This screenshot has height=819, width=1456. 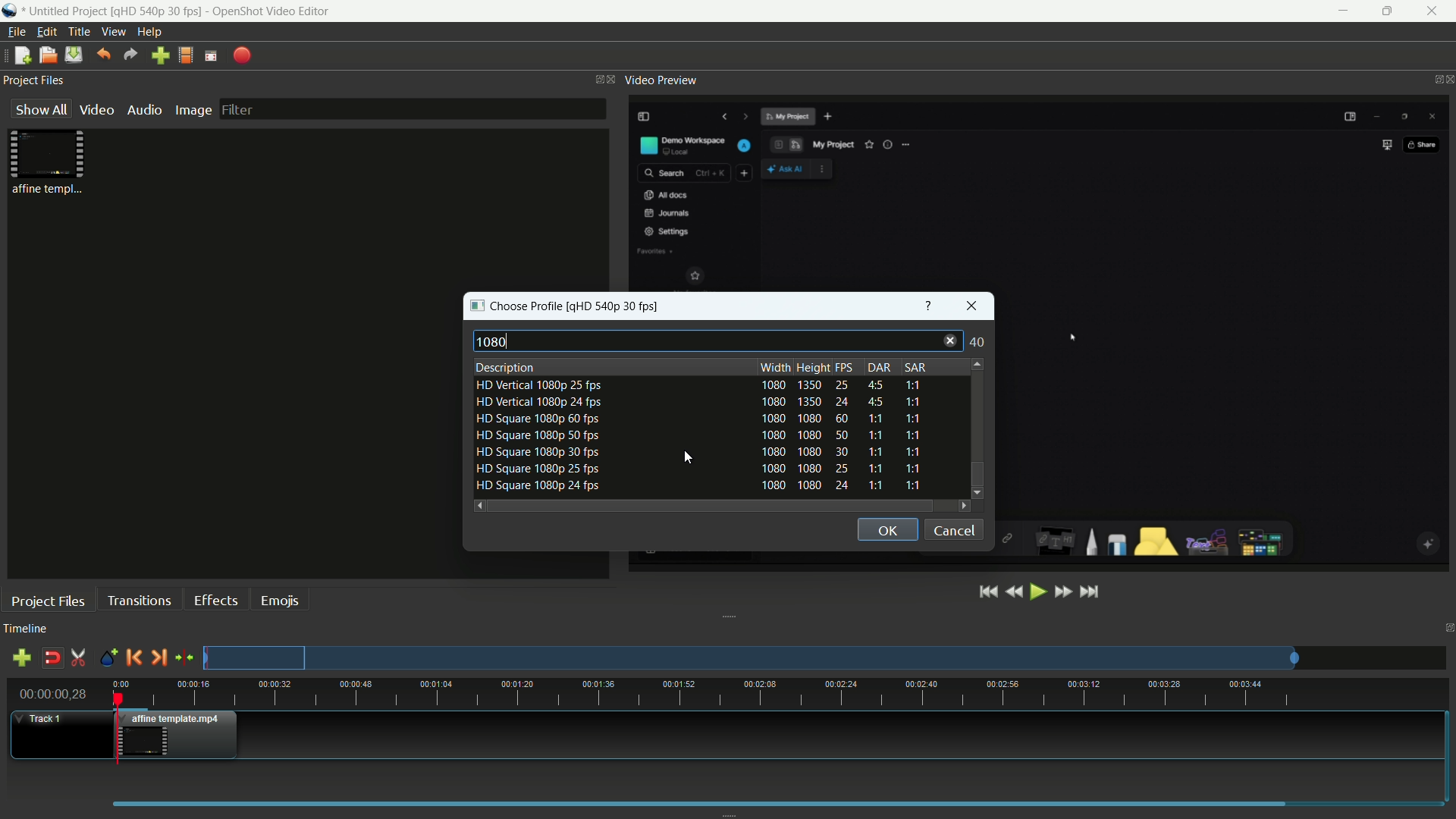 I want to click on video preview, so click(x=661, y=80).